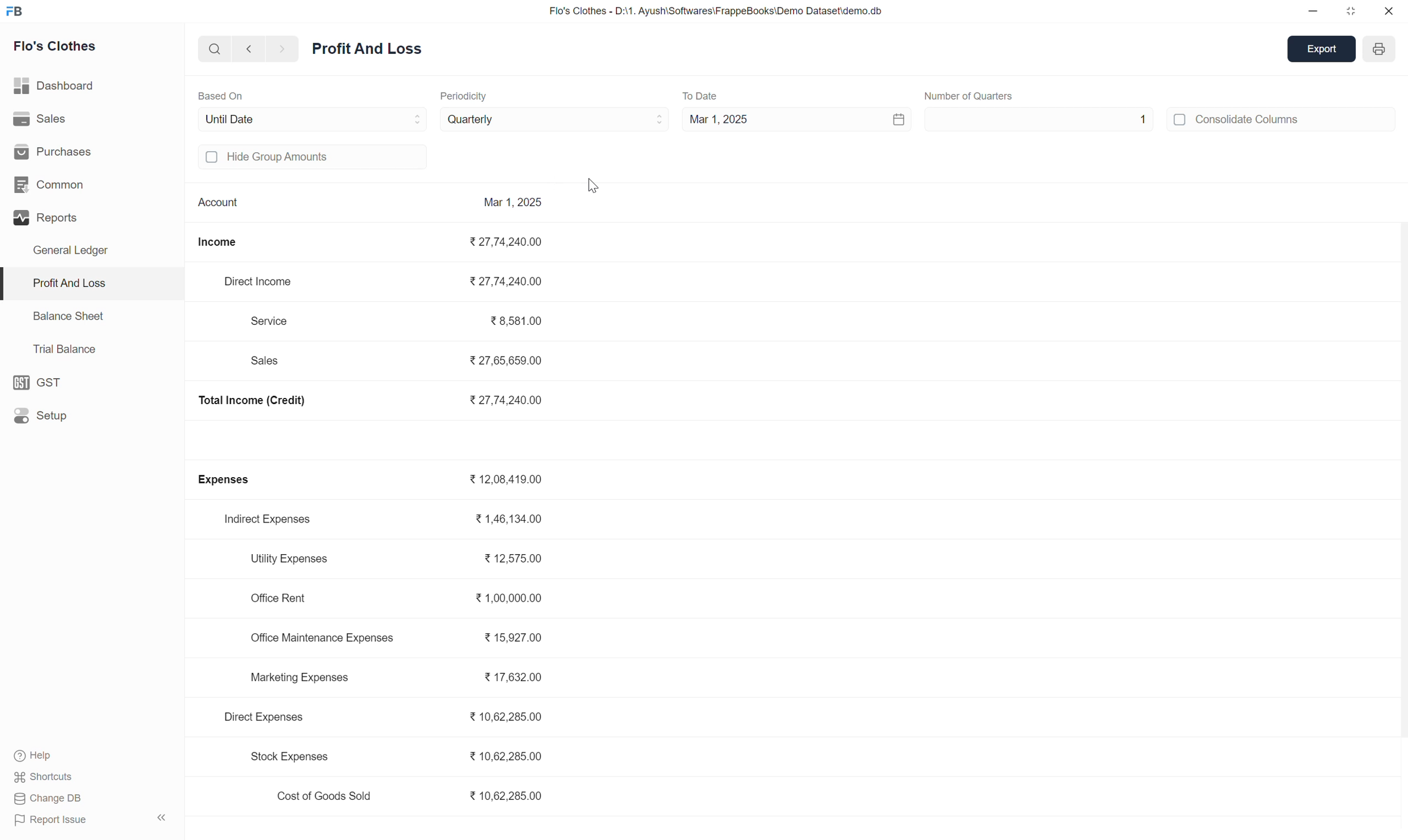  What do you see at coordinates (514, 203) in the screenshot?
I see `Mar 1, 2025` at bounding box center [514, 203].